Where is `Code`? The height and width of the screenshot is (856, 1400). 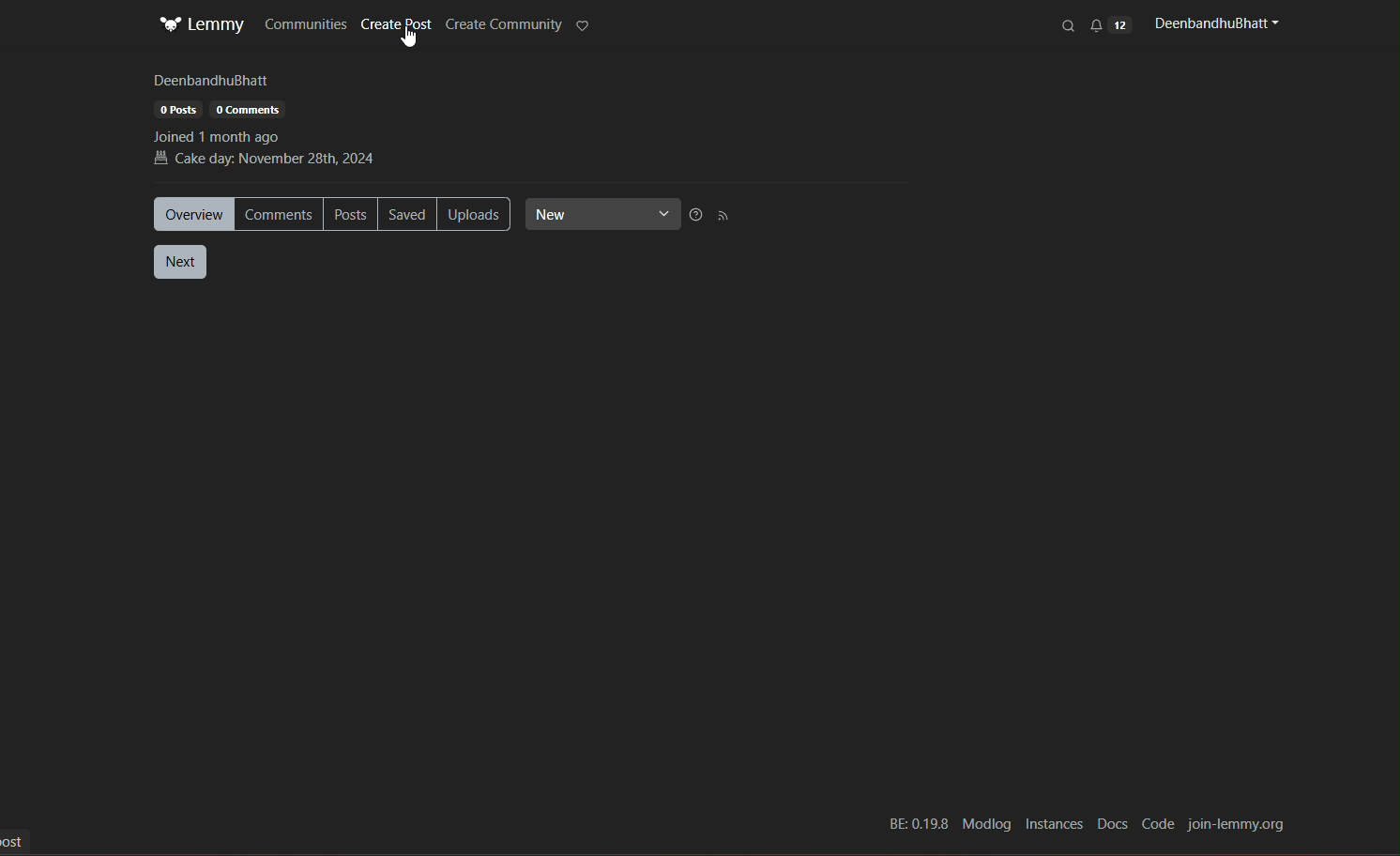 Code is located at coordinates (1159, 825).